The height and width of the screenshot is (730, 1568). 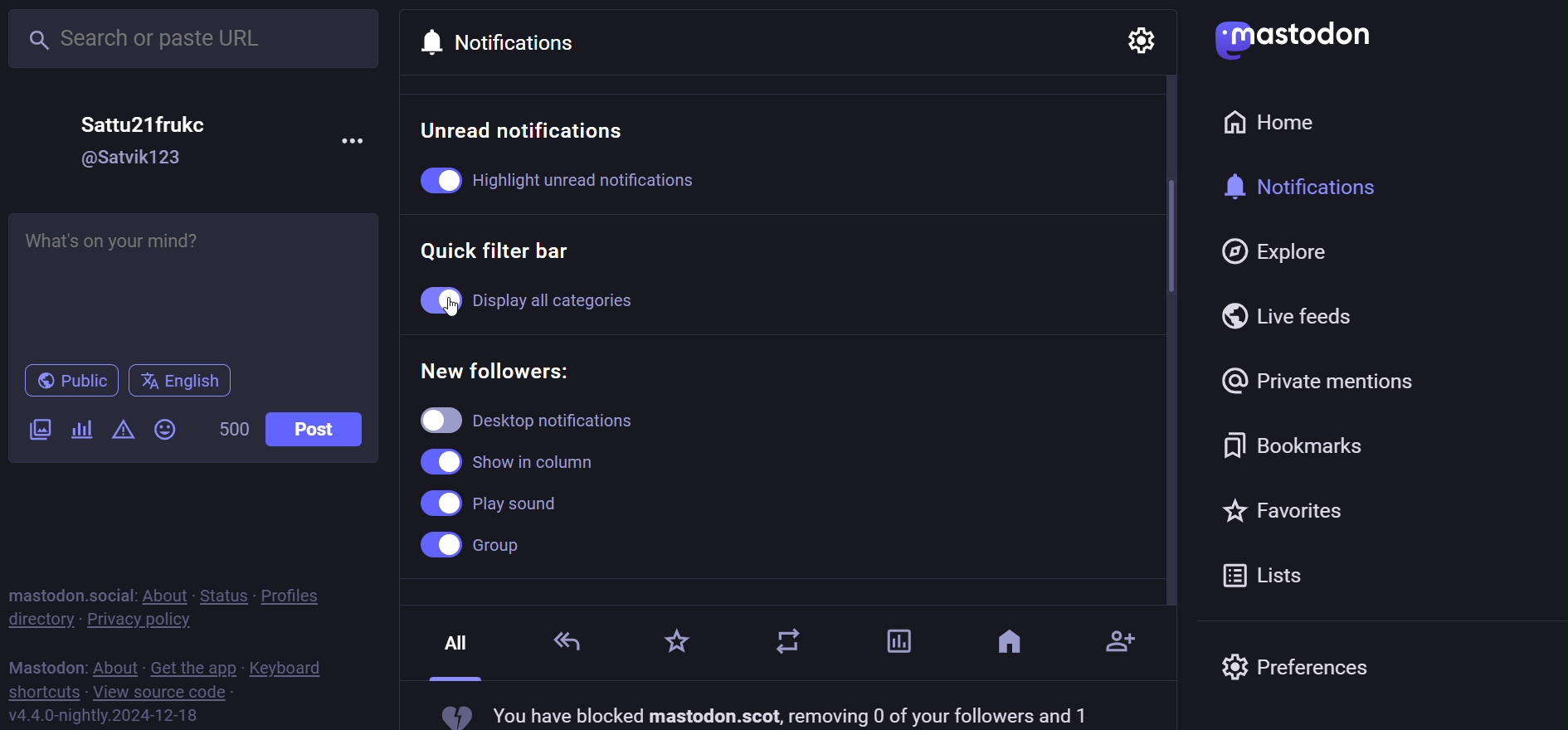 What do you see at coordinates (466, 305) in the screenshot?
I see `cursor` at bounding box center [466, 305].